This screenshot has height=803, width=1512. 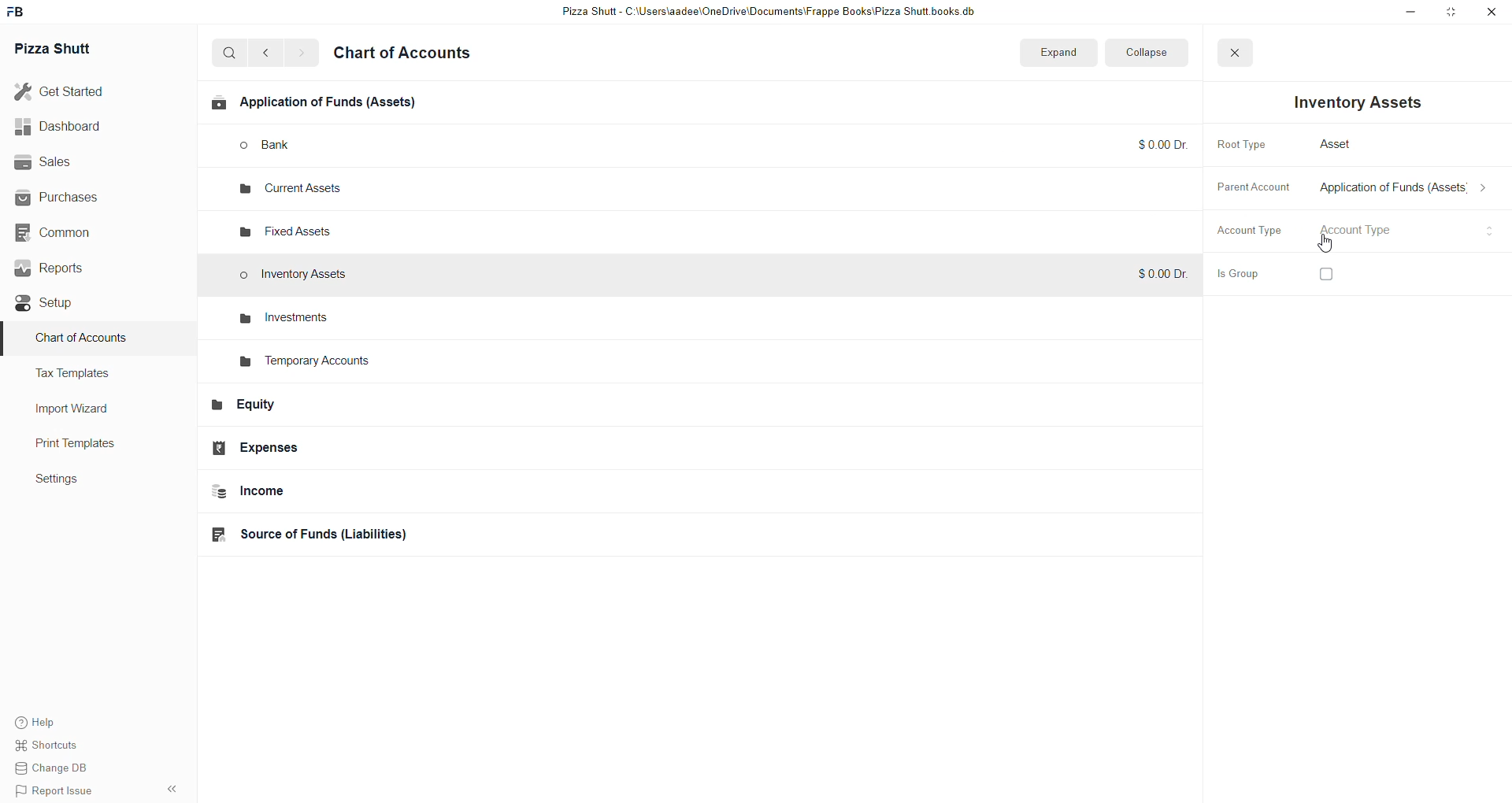 I want to click on Parent Account, so click(x=1242, y=189).